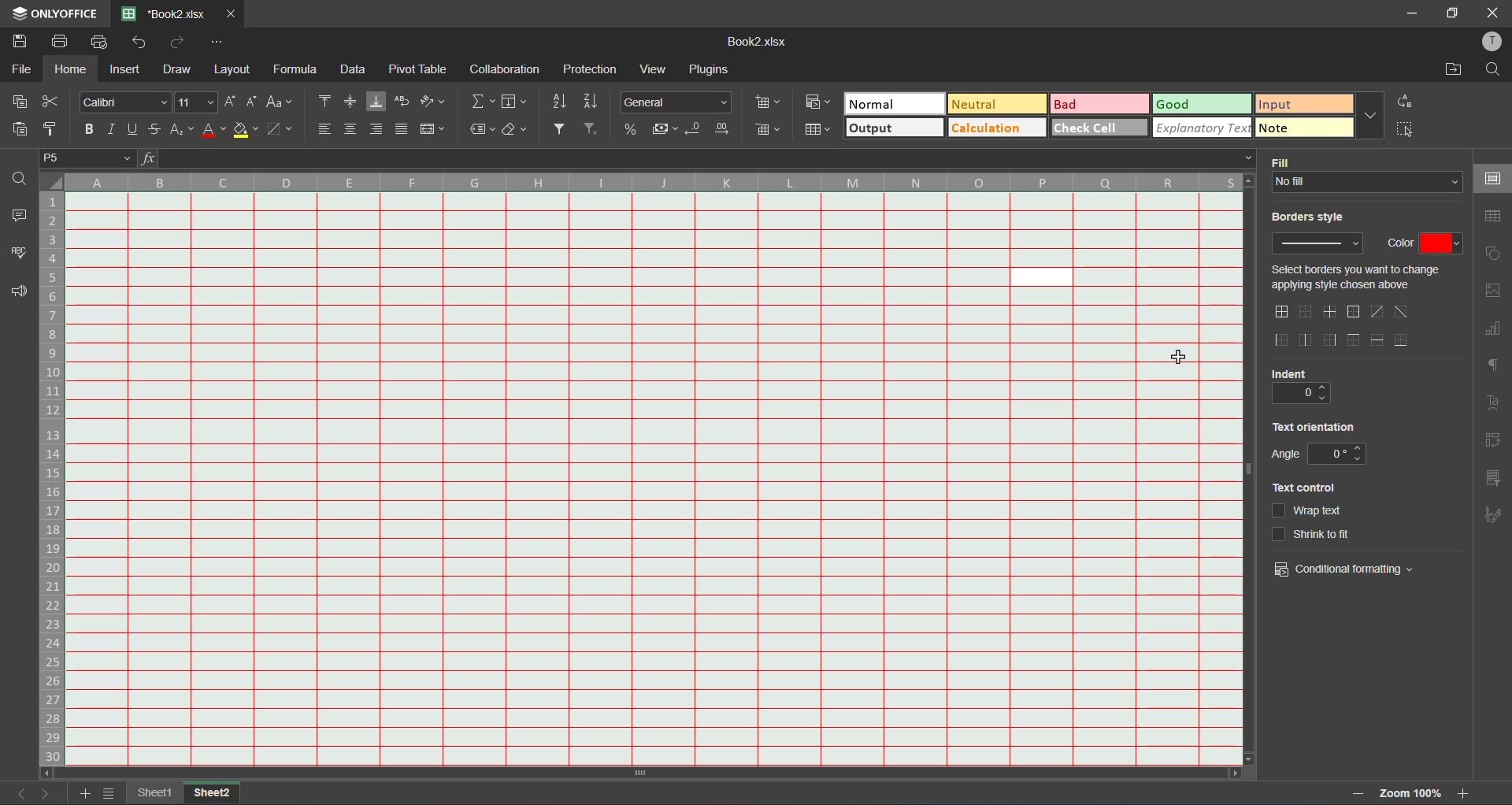 The width and height of the screenshot is (1512, 805). I want to click on P5, so click(89, 158).